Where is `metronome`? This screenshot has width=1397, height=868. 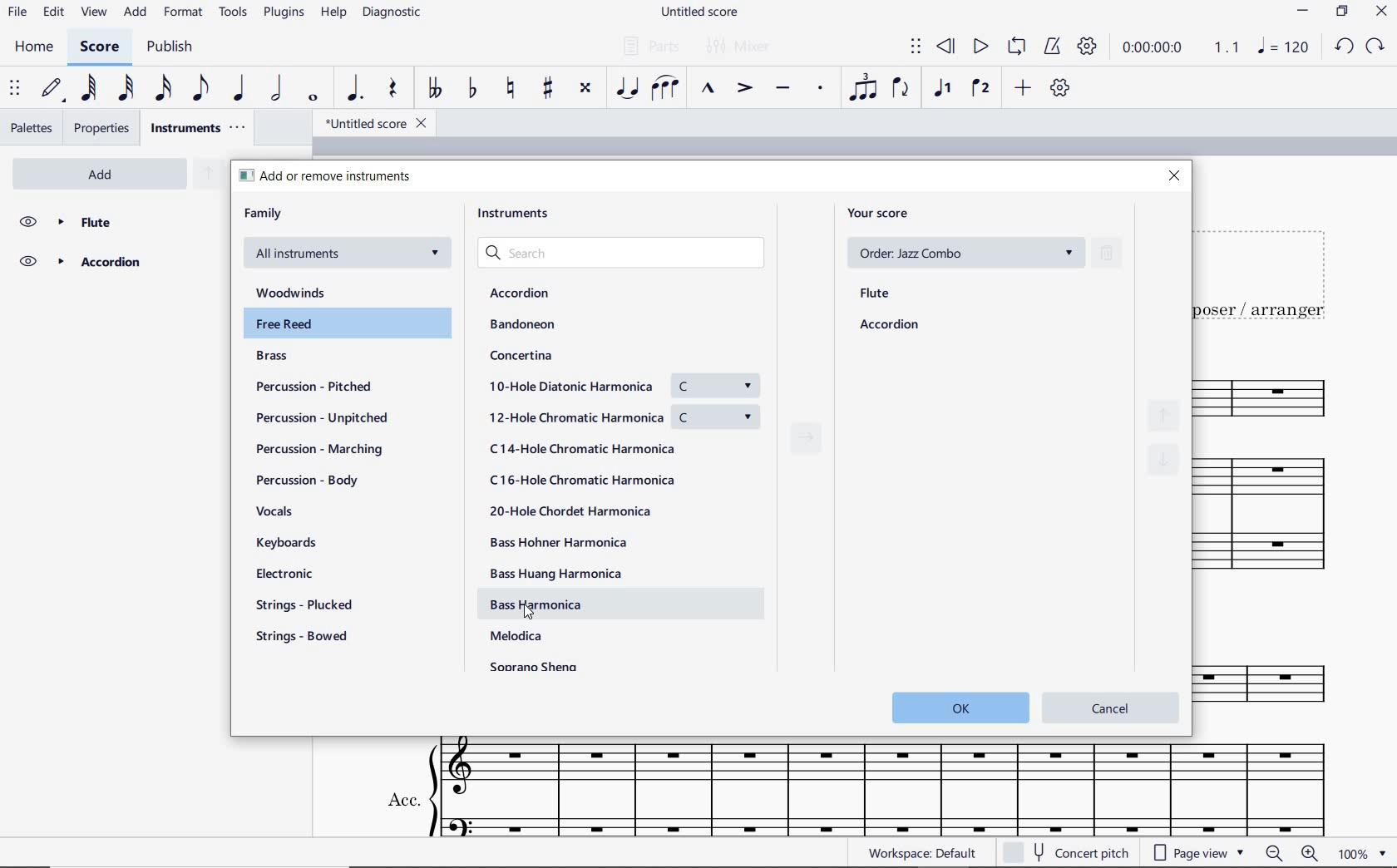 metronome is located at coordinates (1051, 47).